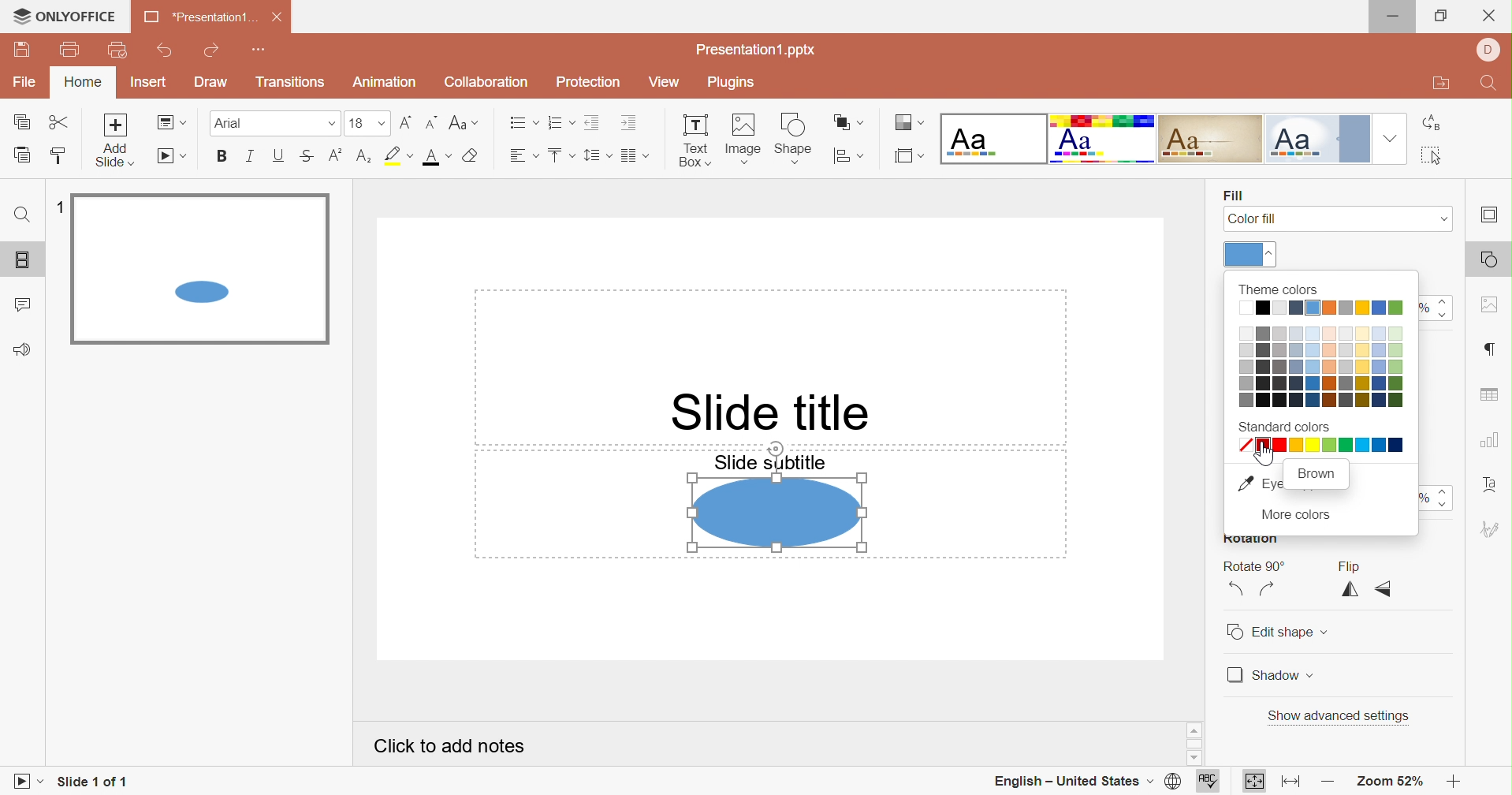 Image resolution: width=1512 pixels, height=795 pixels. Describe the element at coordinates (847, 121) in the screenshot. I see `Arrange shape` at that location.